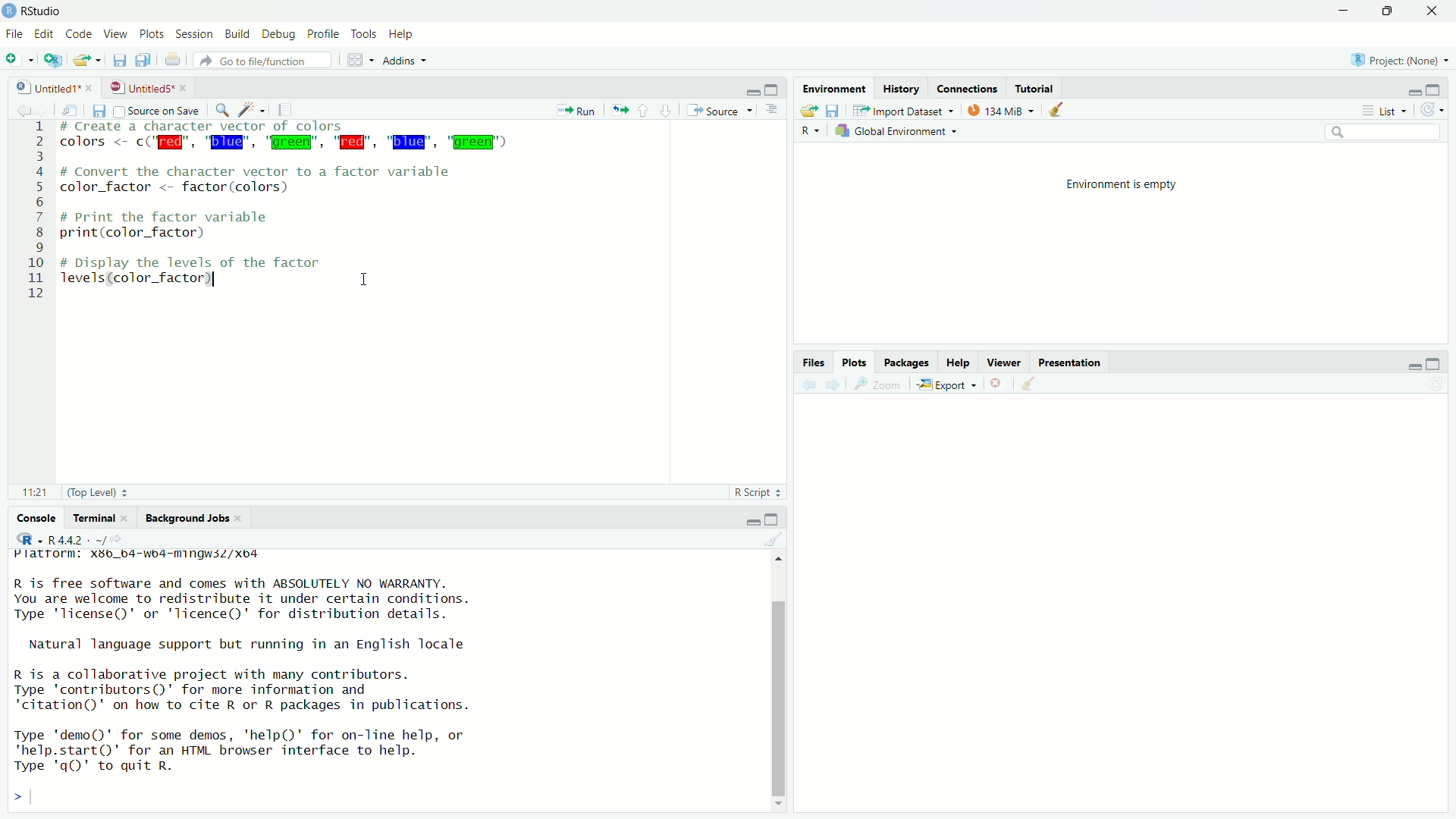 The width and height of the screenshot is (1456, 819). Describe the element at coordinates (88, 60) in the screenshot. I see `open an existing file` at that location.